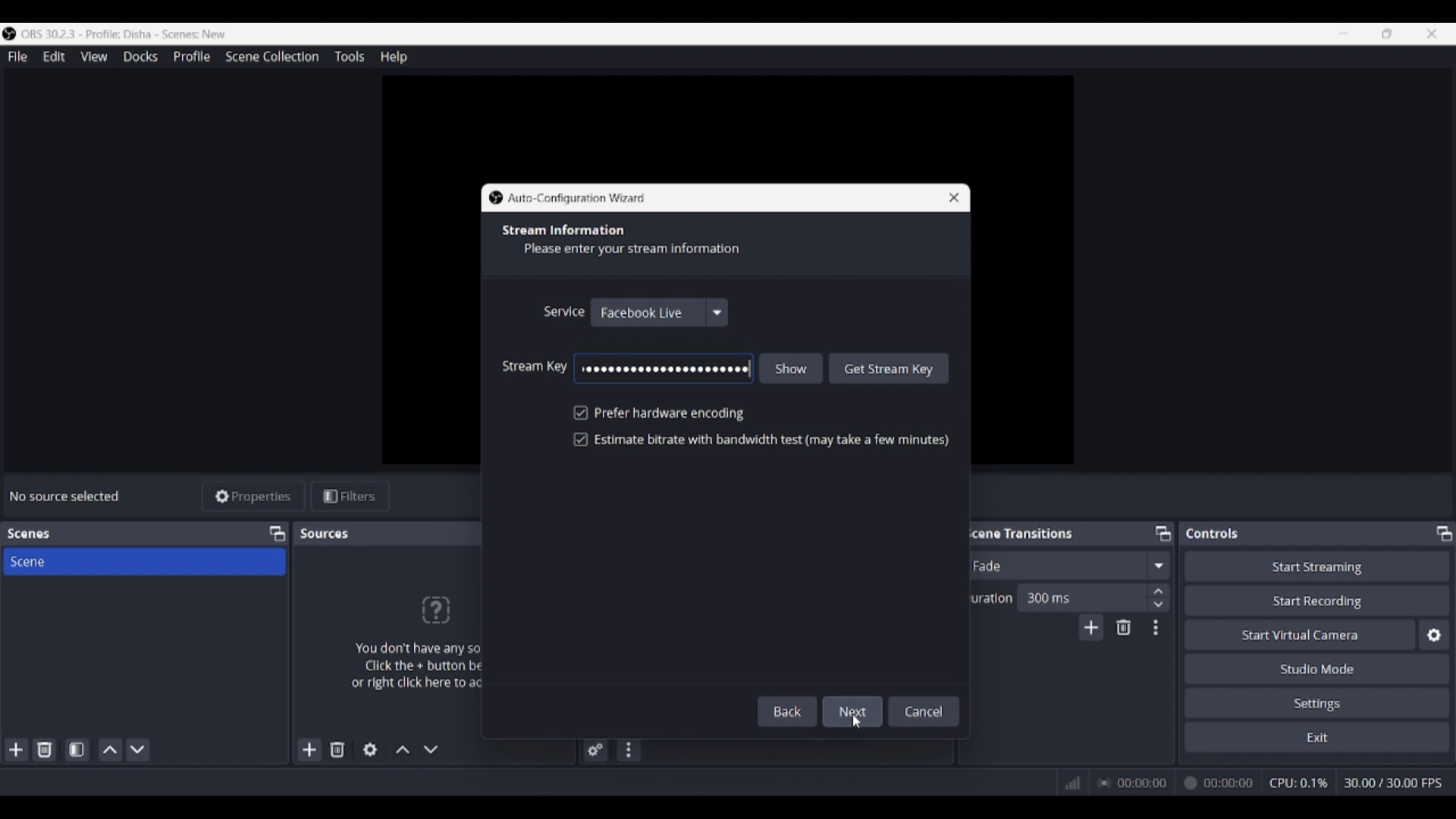  Describe the element at coordinates (394, 57) in the screenshot. I see `Help menu` at that location.